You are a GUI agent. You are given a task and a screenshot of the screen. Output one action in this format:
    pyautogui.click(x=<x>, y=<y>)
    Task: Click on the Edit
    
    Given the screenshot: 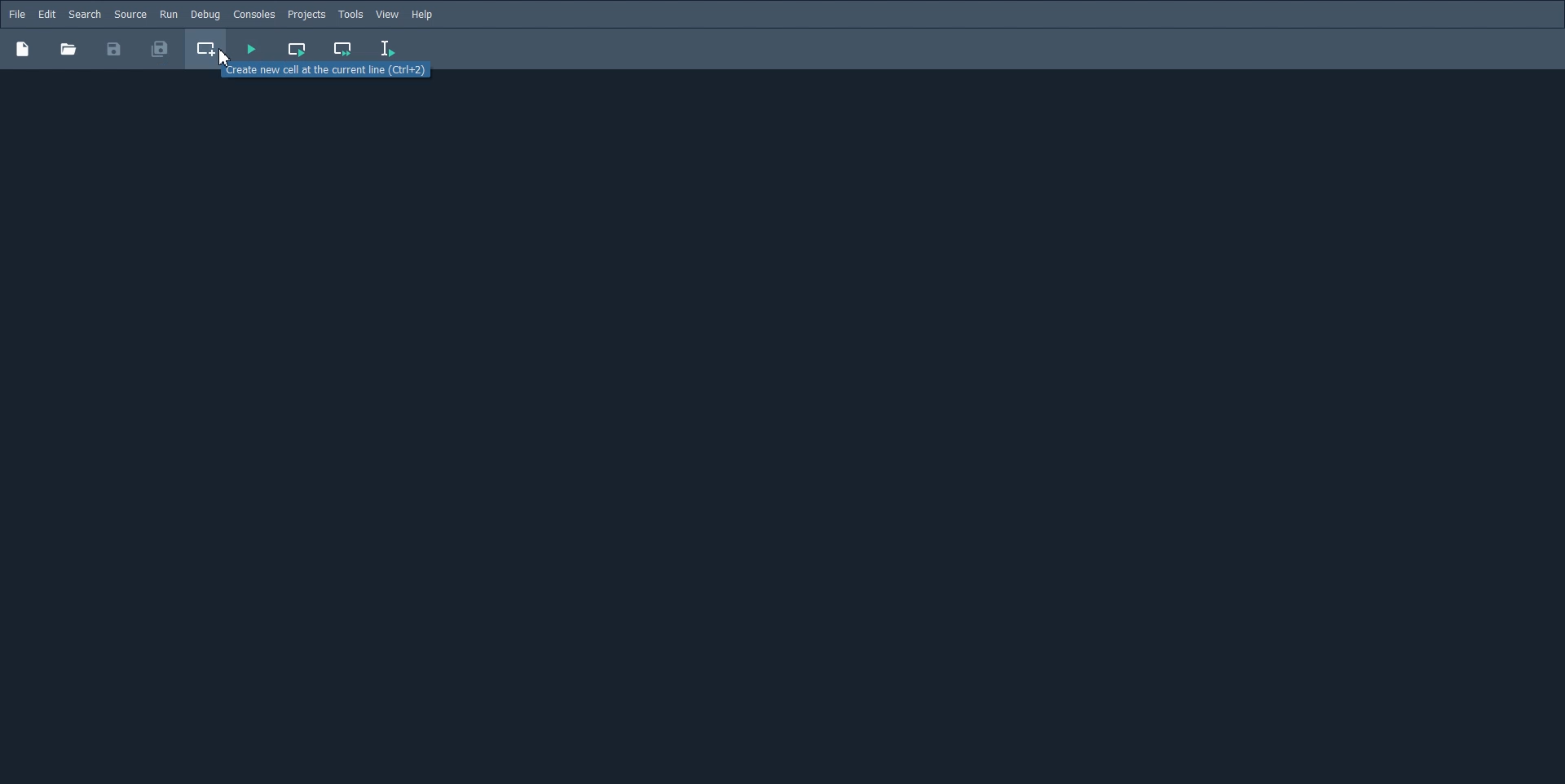 What is the action you would take?
    pyautogui.click(x=46, y=15)
    